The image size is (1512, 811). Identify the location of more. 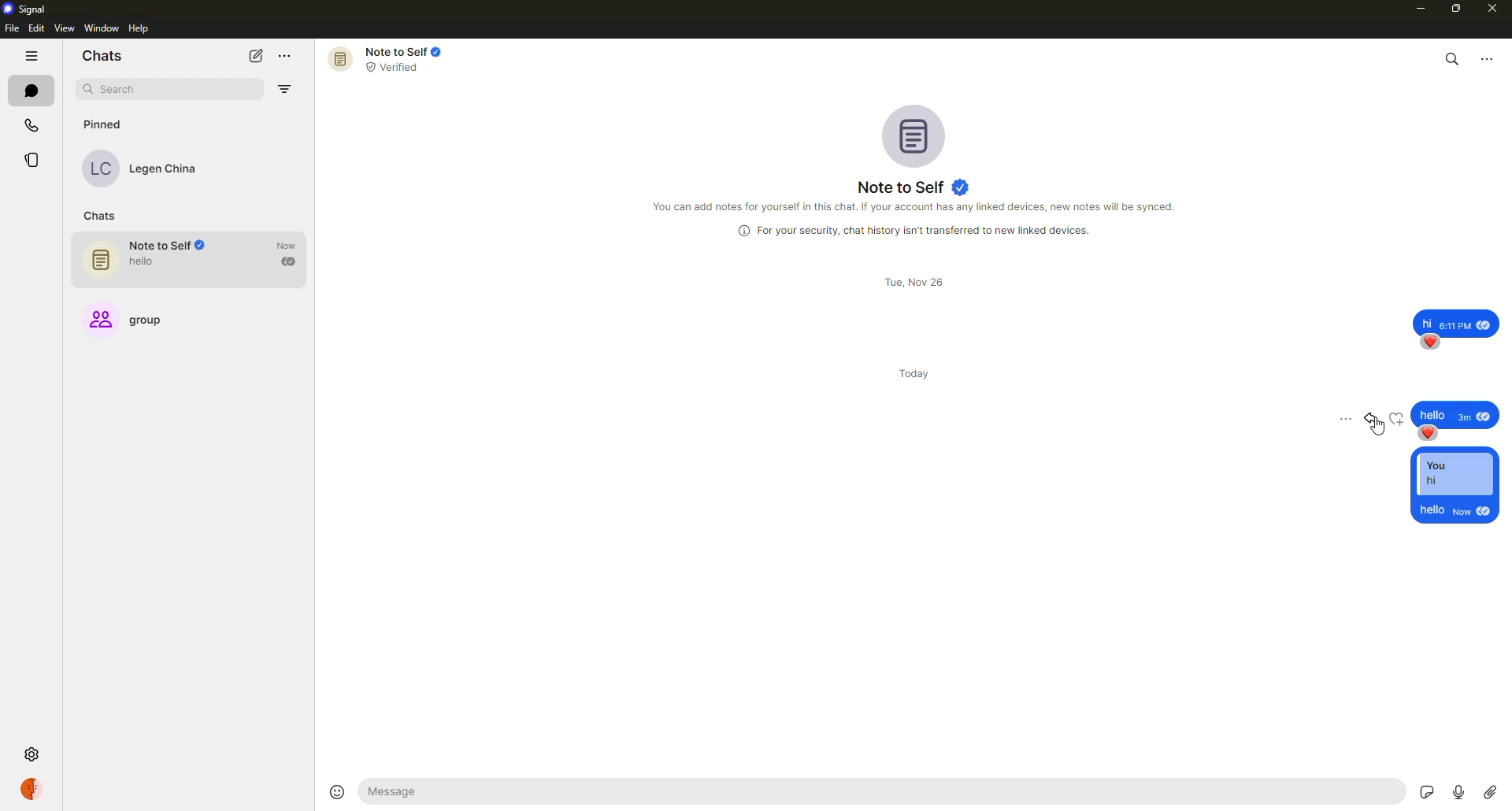
(289, 55).